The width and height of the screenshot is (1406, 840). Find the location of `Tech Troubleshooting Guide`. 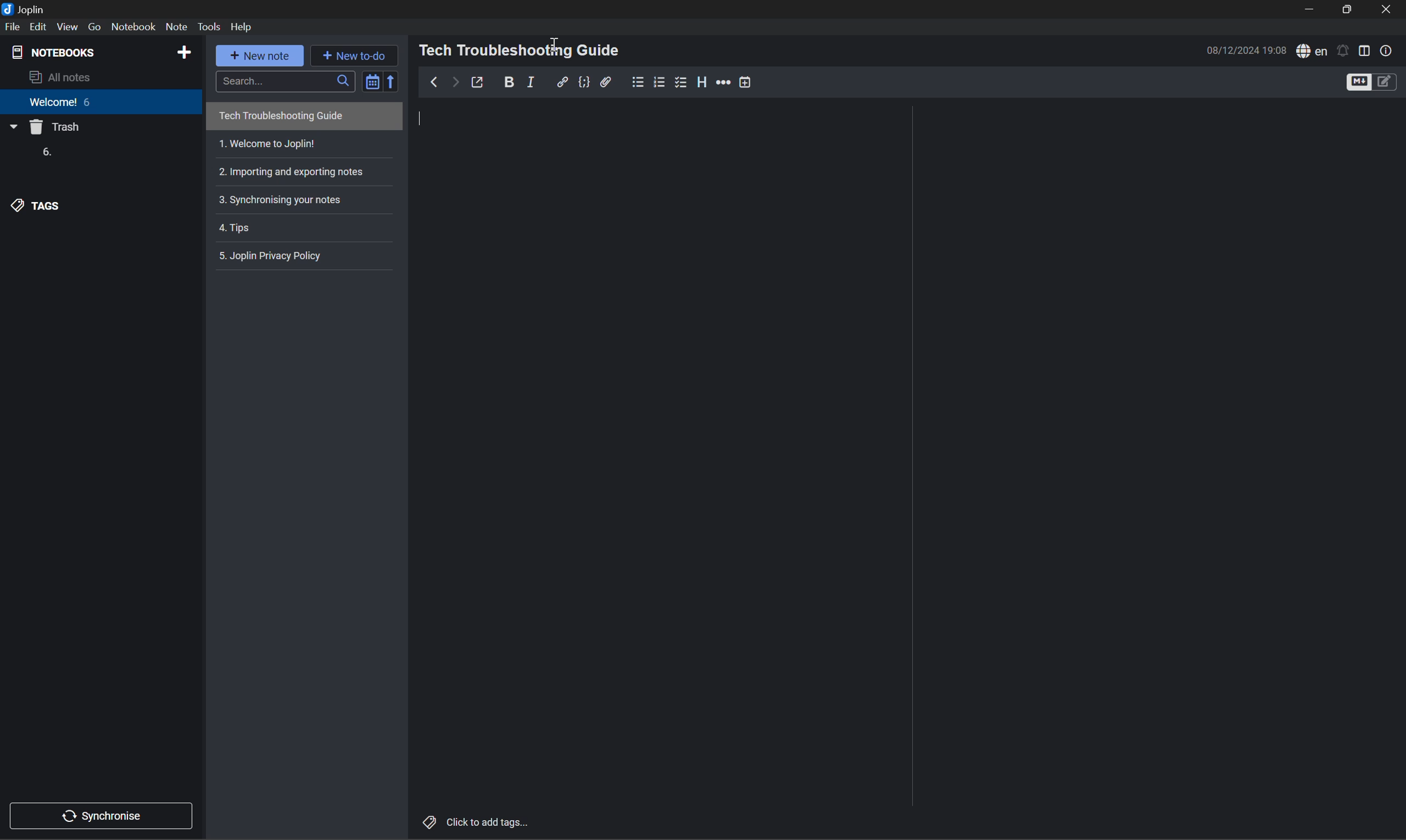

Tech Troubleshooting Guide is located at coordinates (521, 50).